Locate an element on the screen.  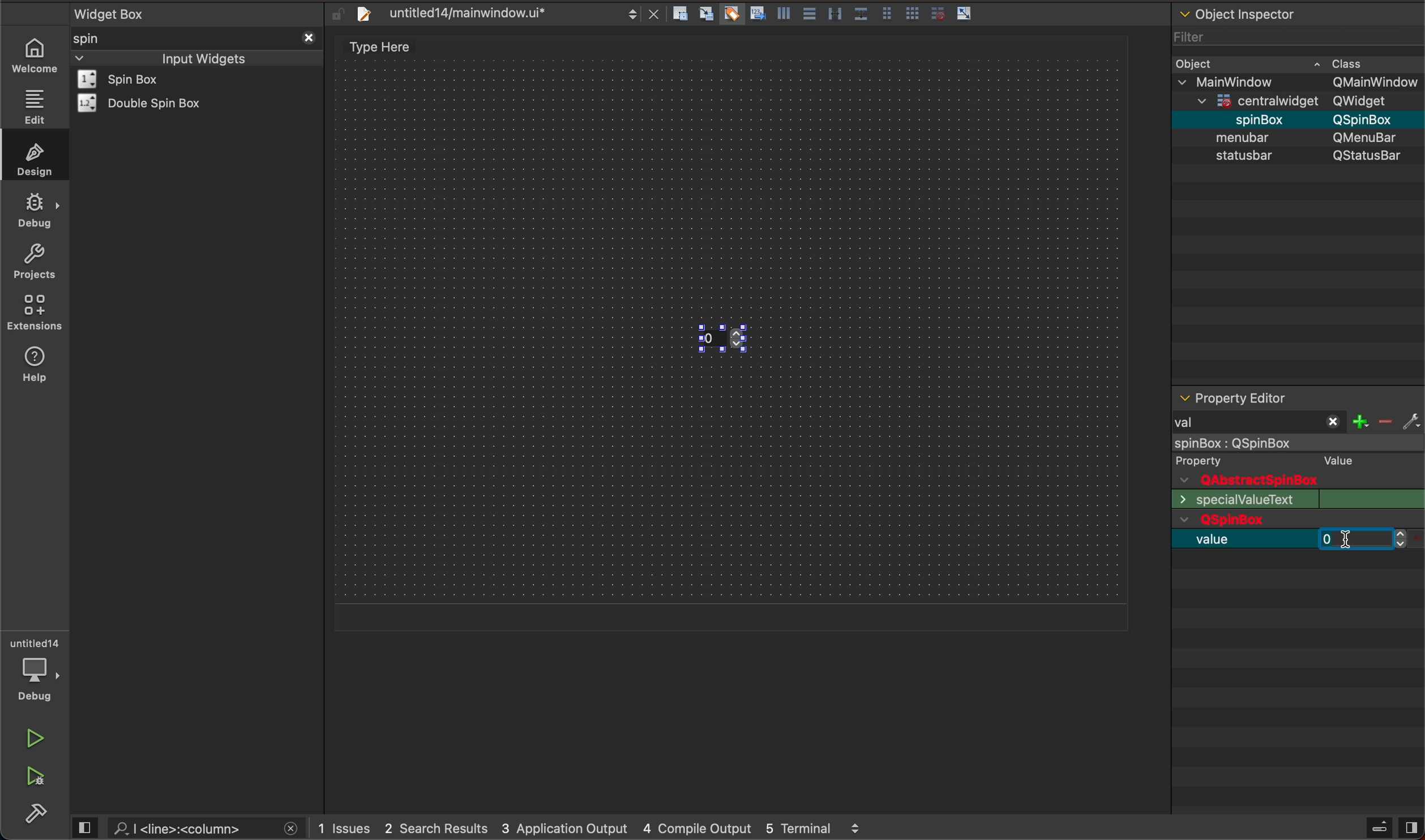
run and debug is located at coordinates (37, 779).